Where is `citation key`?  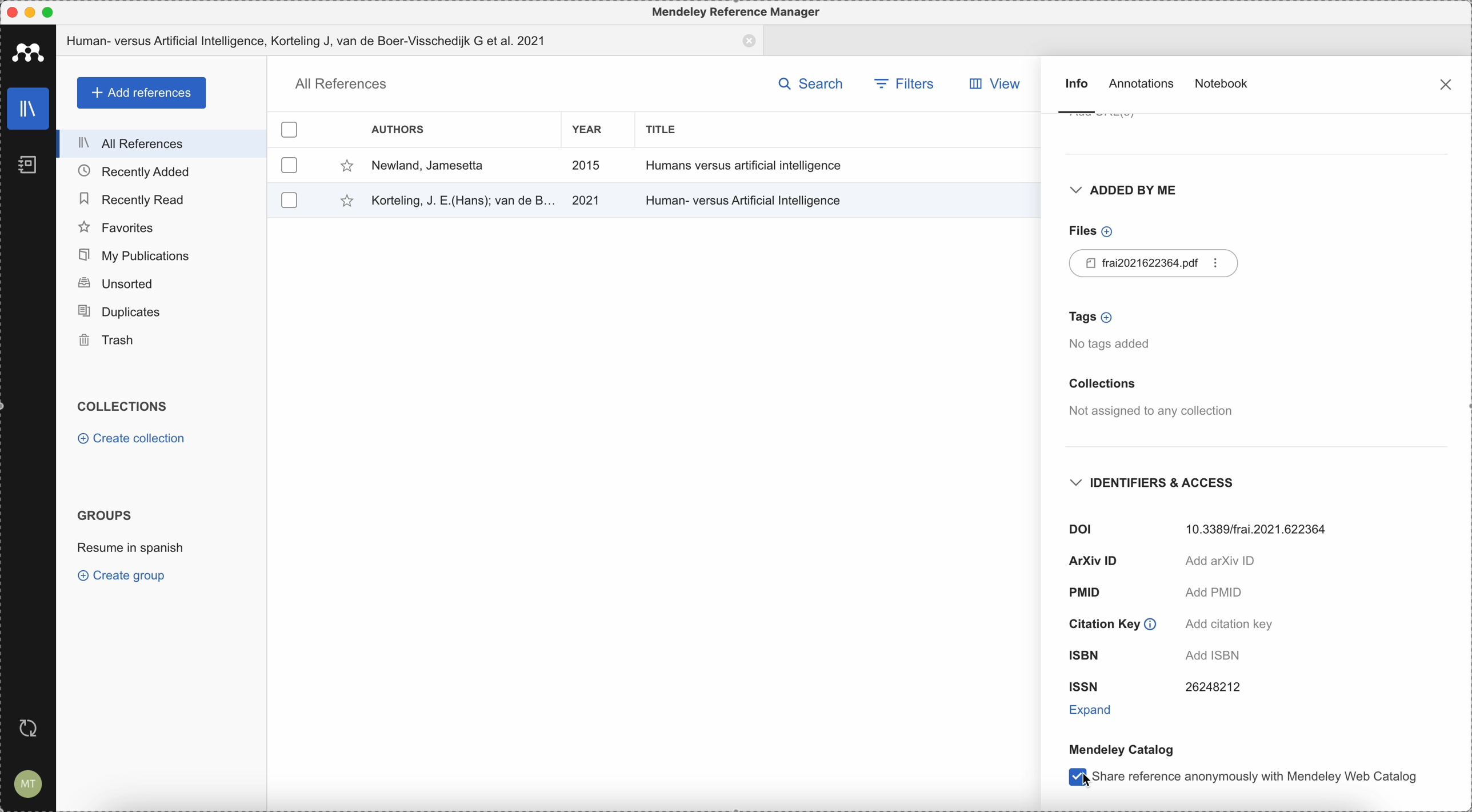
citation key is located at coordinates (1168, 623).